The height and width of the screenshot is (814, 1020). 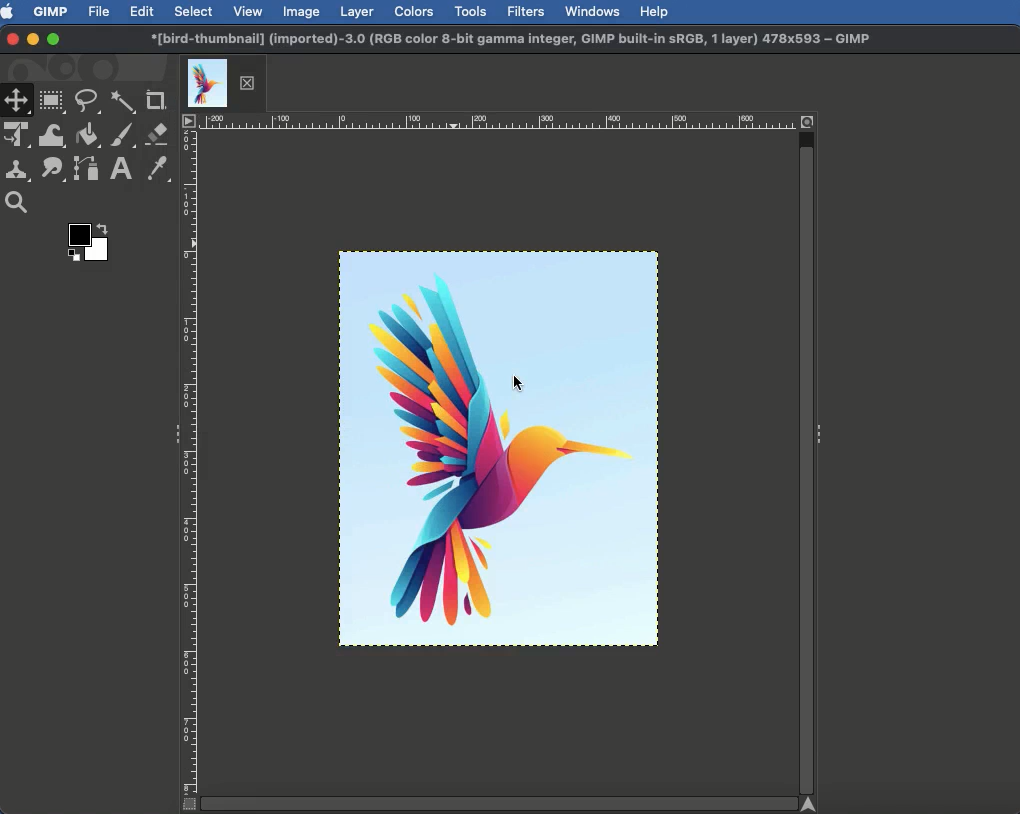 What do you see at coordinates (98, 12) in the screenshot?
I see `File` at bounding box center [98, 12].